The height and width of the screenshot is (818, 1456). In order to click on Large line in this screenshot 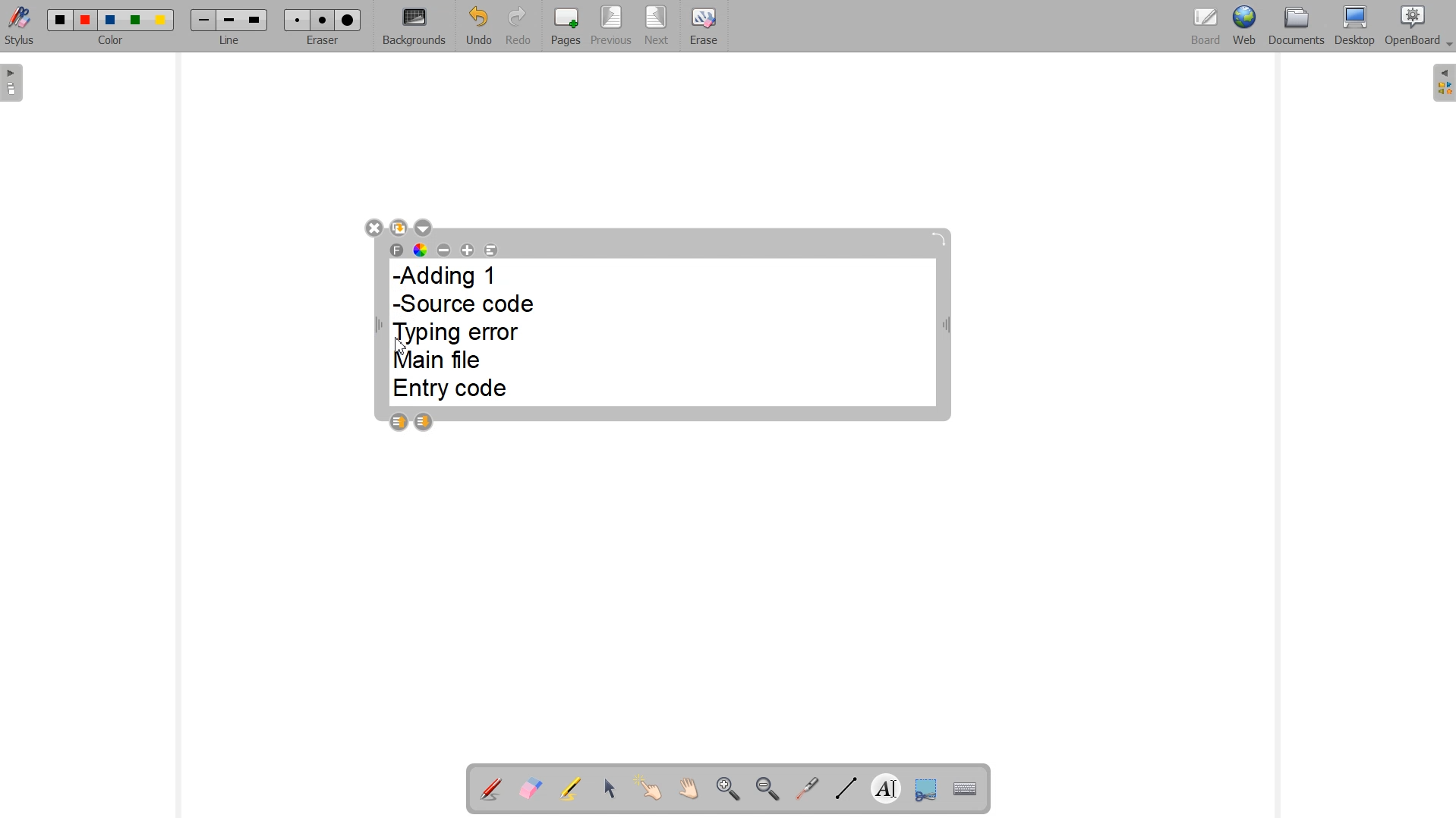, I will do `click(256, 20)`.